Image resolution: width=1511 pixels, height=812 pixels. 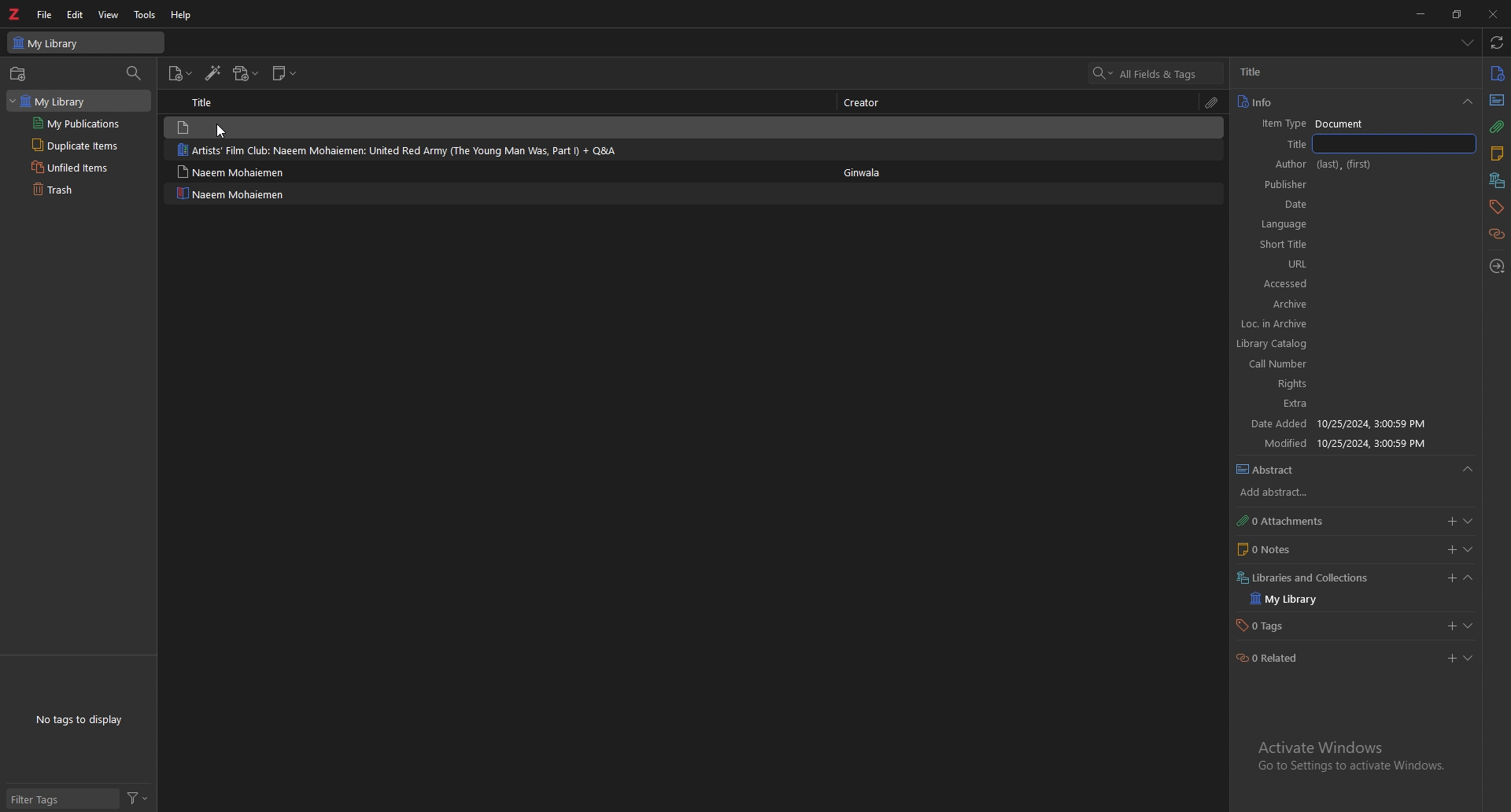 I want to click on encyclopedia title, so click(x=1279, y=185).